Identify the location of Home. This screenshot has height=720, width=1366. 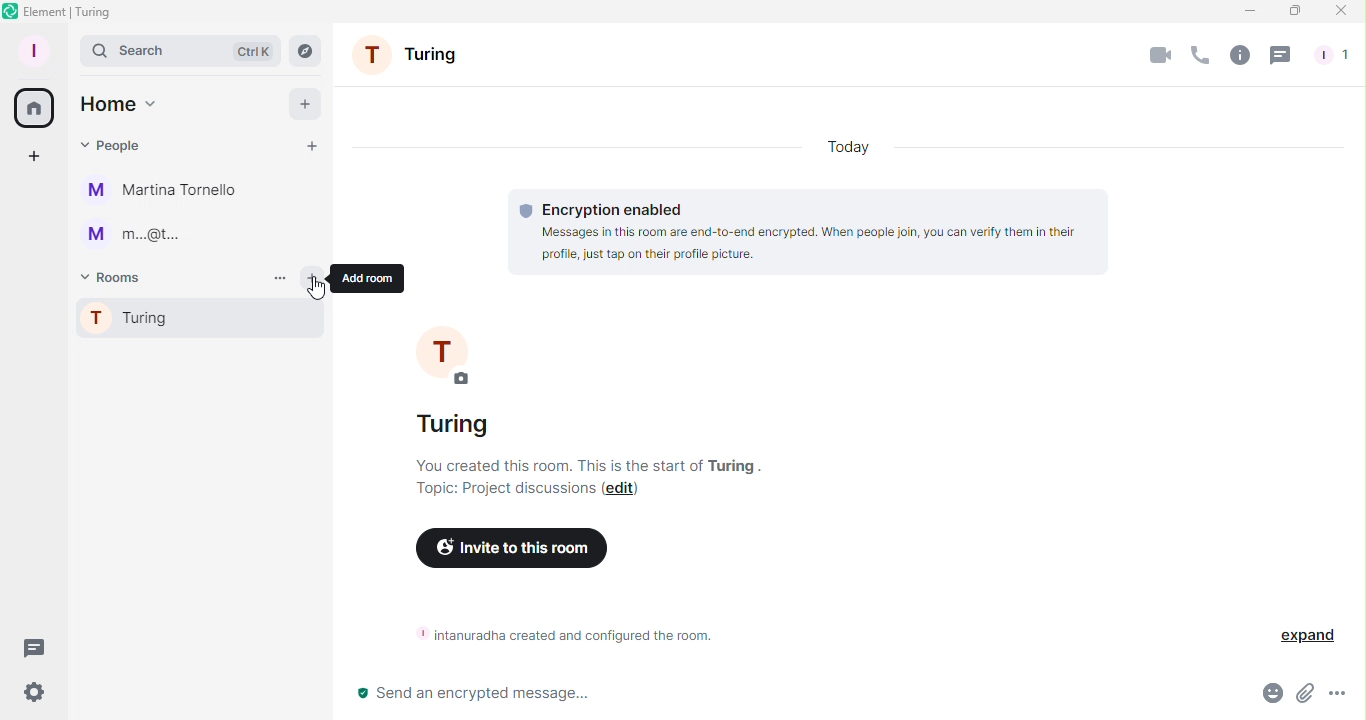
(118, 104).